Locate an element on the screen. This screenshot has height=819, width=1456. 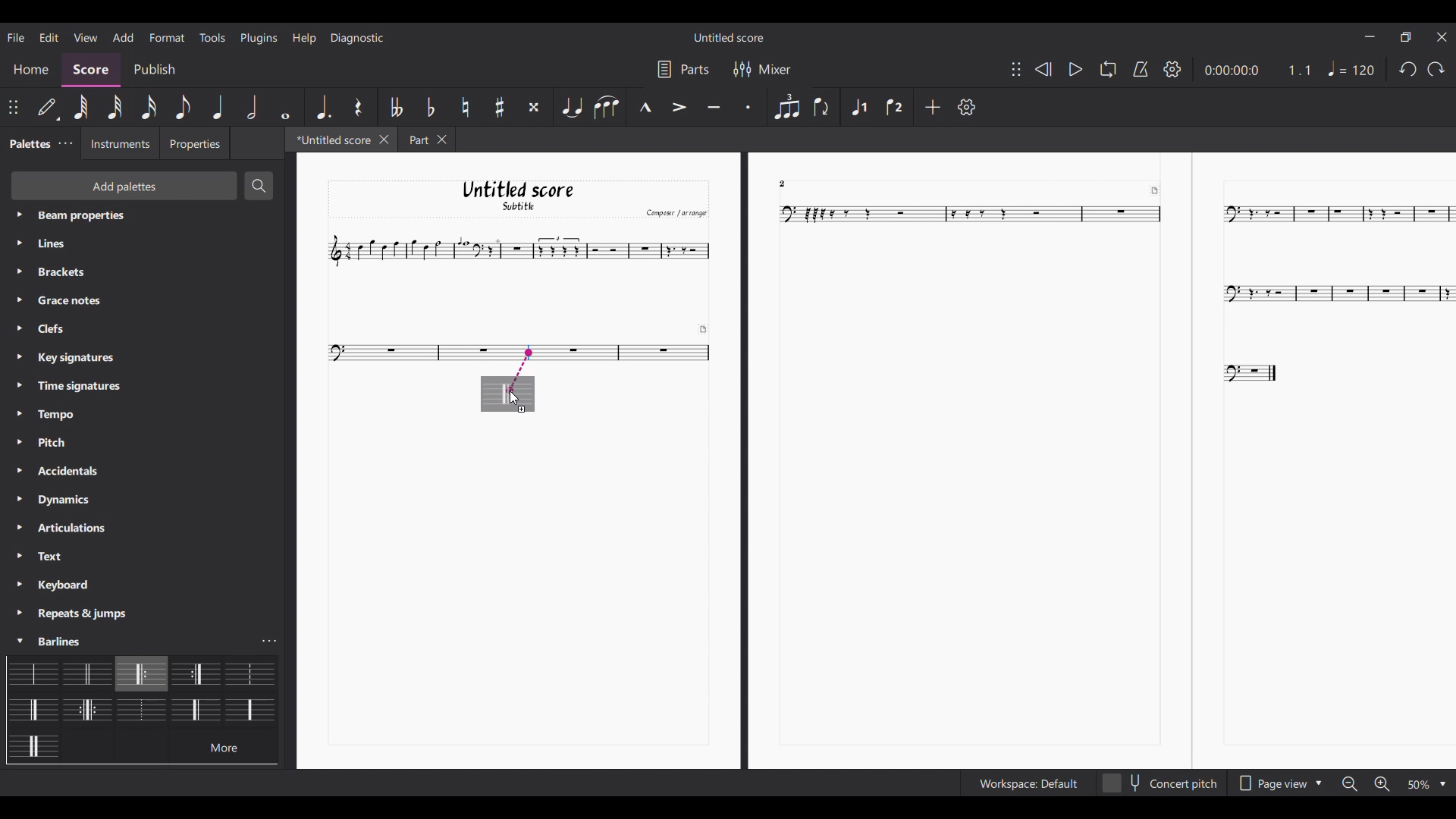
Barline options is located at coordinates (193, 705).